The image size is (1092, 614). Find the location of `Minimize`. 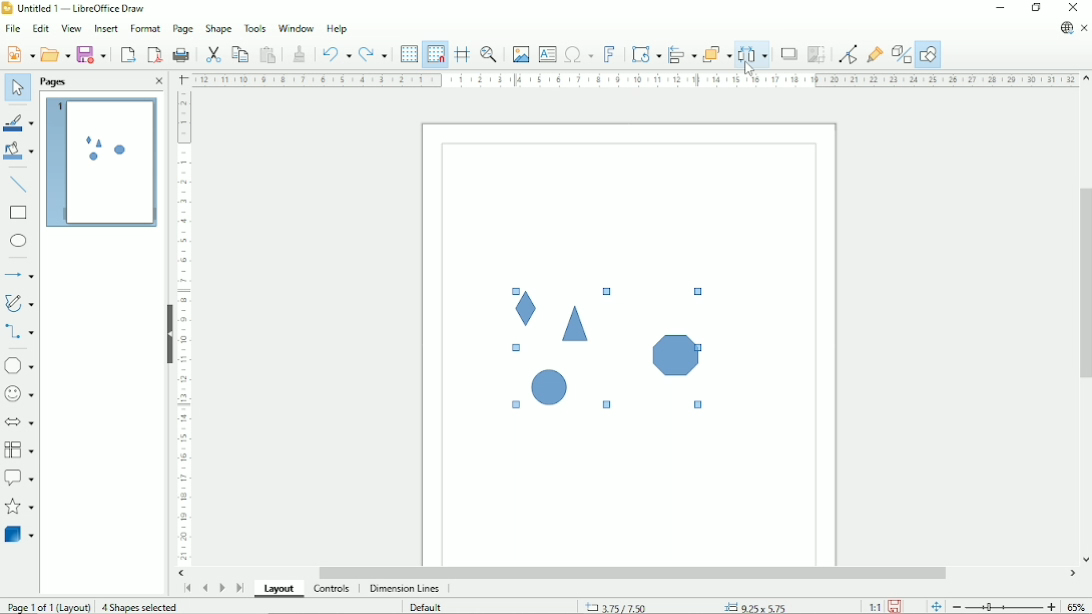

Minimize is located at coordinates (1002, 8).